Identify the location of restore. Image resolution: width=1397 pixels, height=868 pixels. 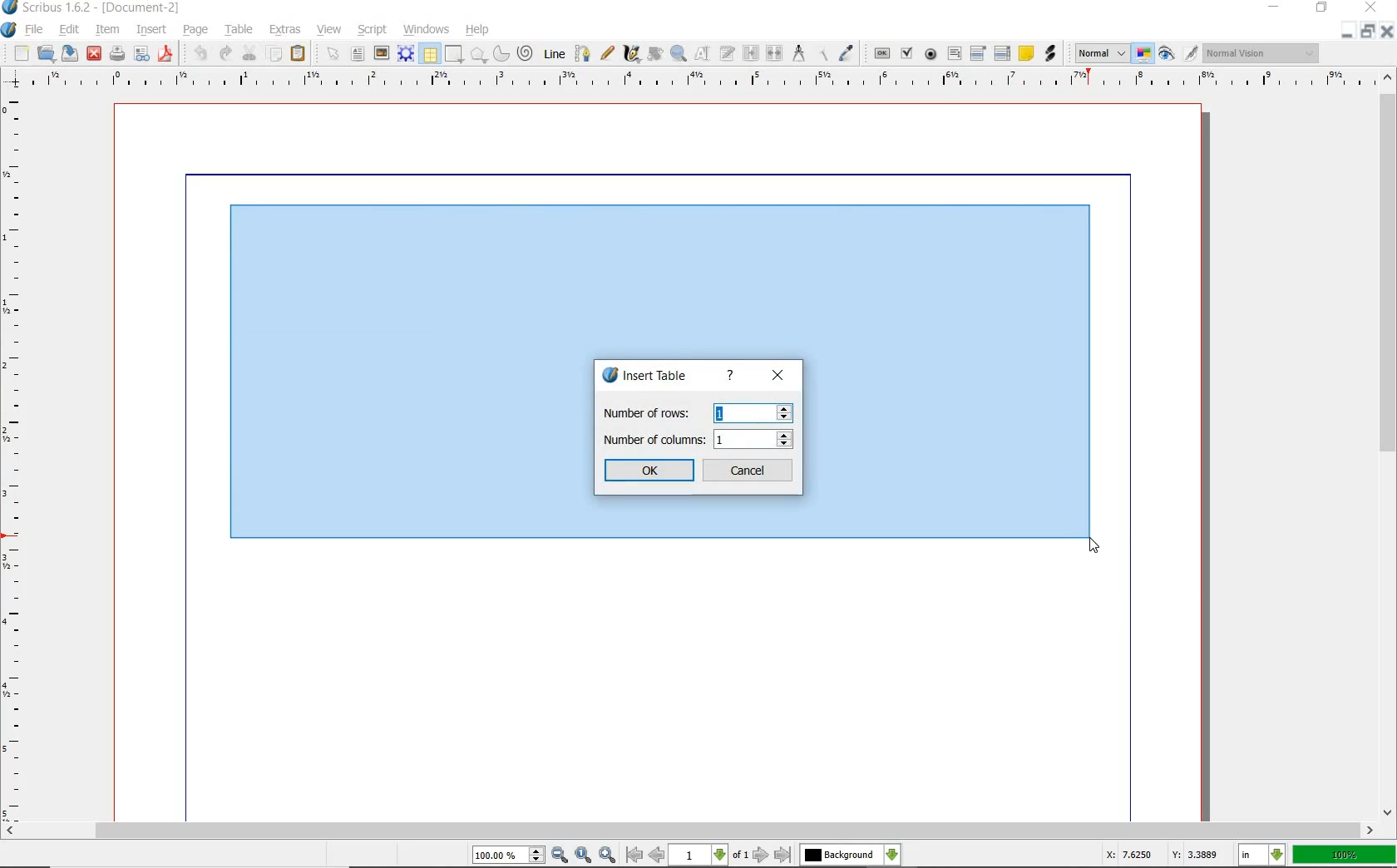
(1367, 31).